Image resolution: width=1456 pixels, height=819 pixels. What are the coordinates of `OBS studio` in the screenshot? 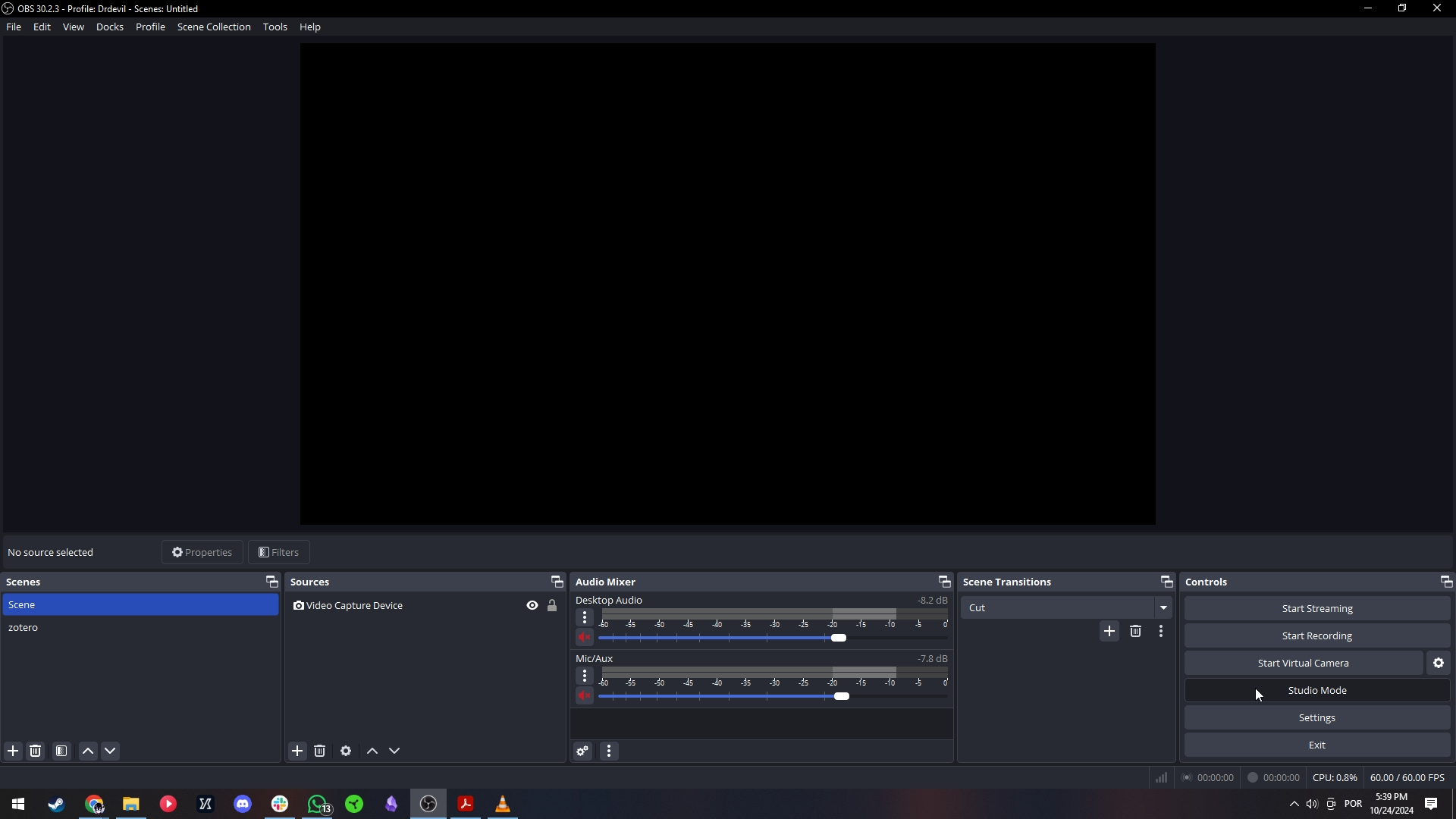 It's located at (428, 805).